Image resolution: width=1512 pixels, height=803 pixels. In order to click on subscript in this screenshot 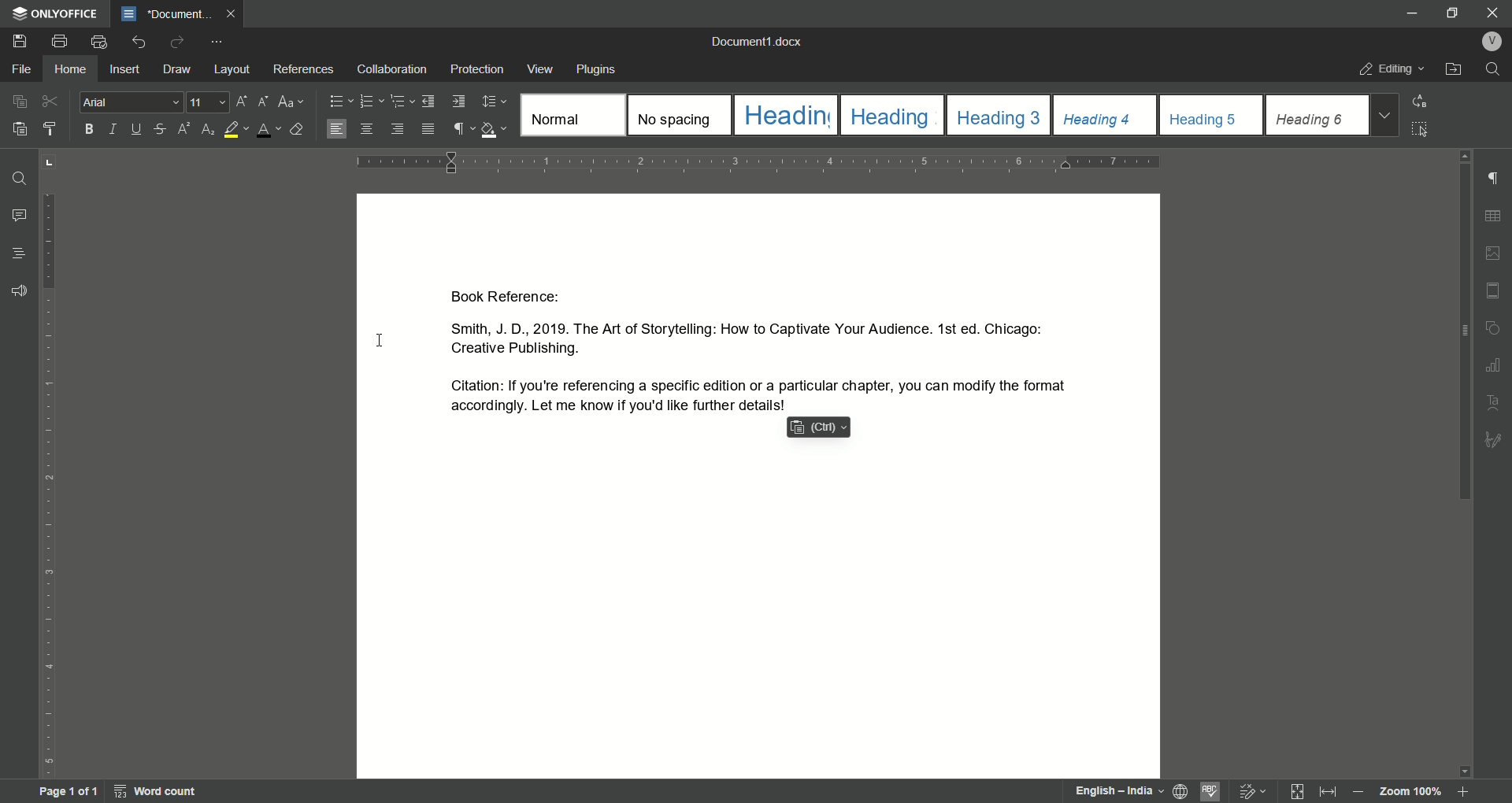, I will do `click(207, 130)`.